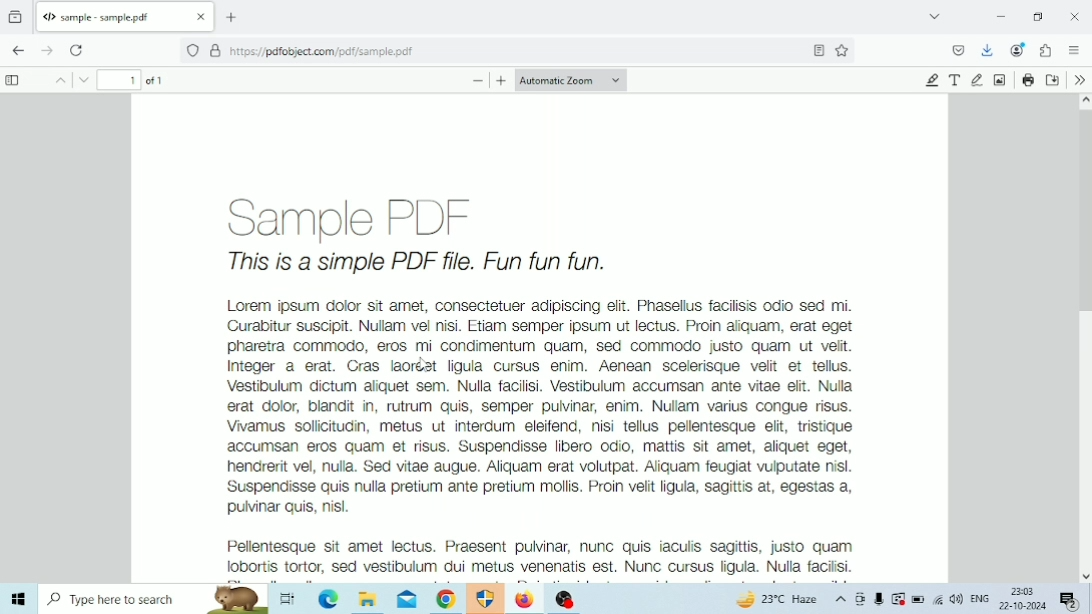  What do you see at coordinates (1085, 103) in the screenshot?
I see `Scroll up` at bounding box center [1085, 103].